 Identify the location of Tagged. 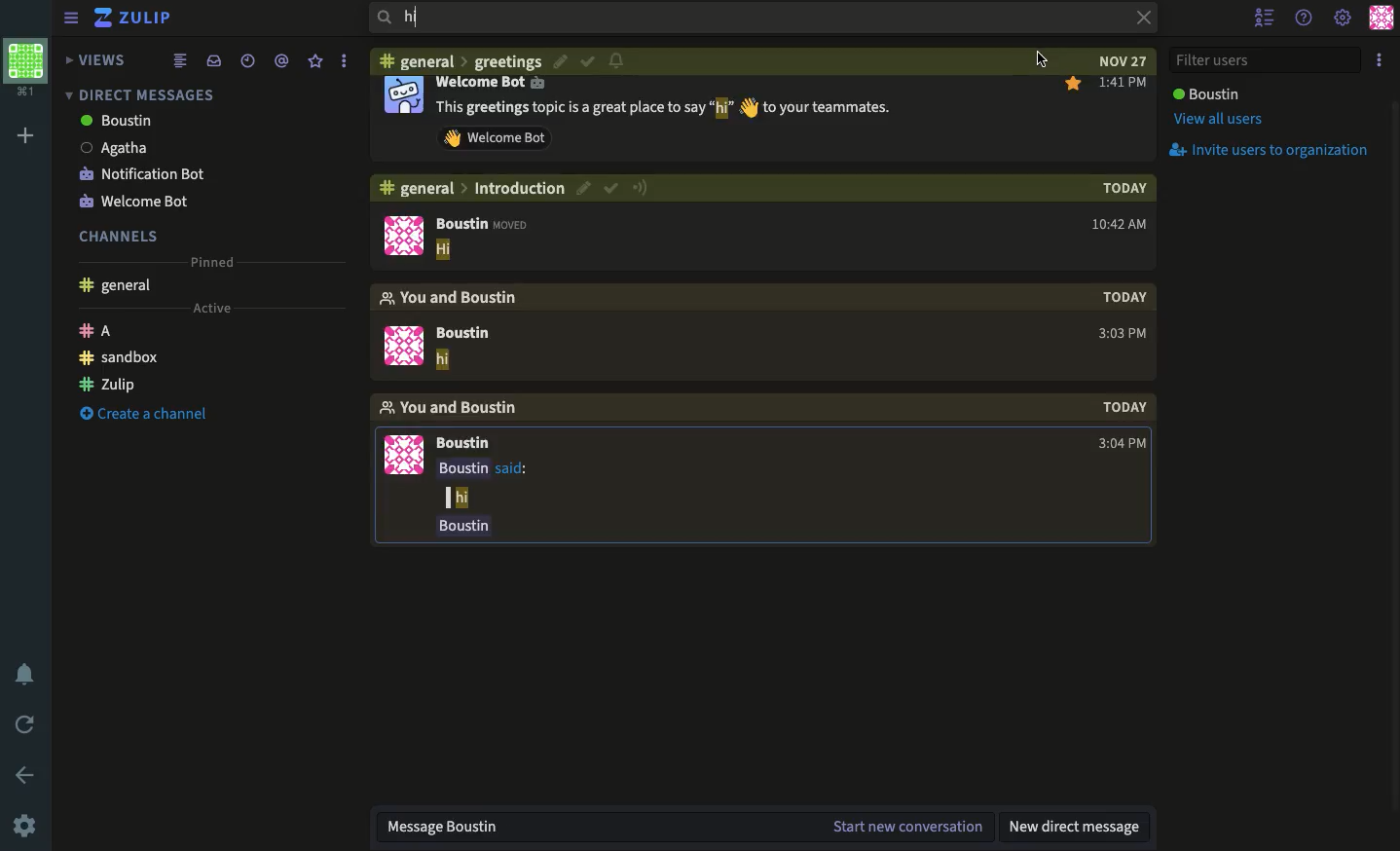
(280, 61).